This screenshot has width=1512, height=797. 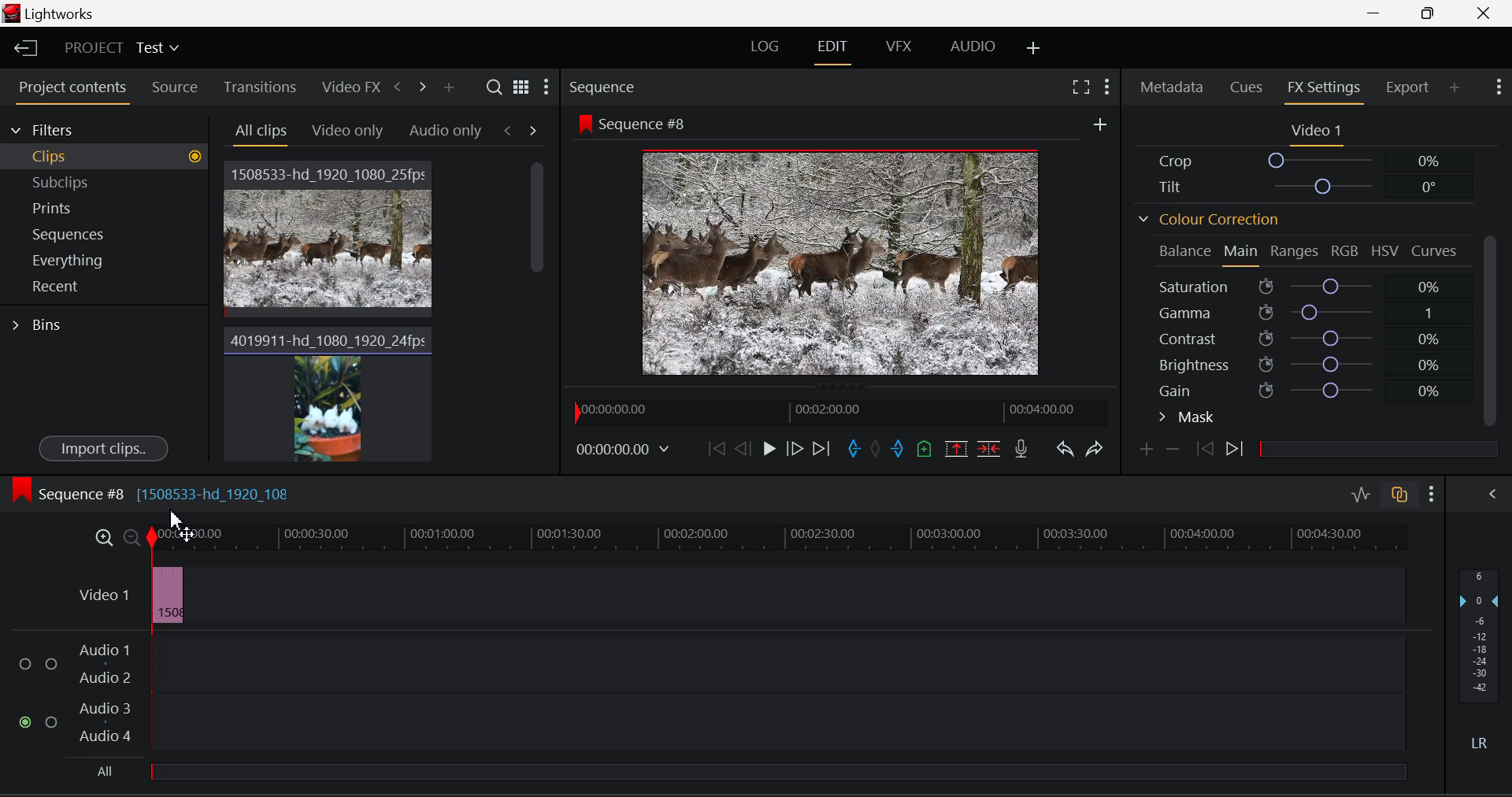 I want to click on Project Contents Tab, so click(x=74, y=89).